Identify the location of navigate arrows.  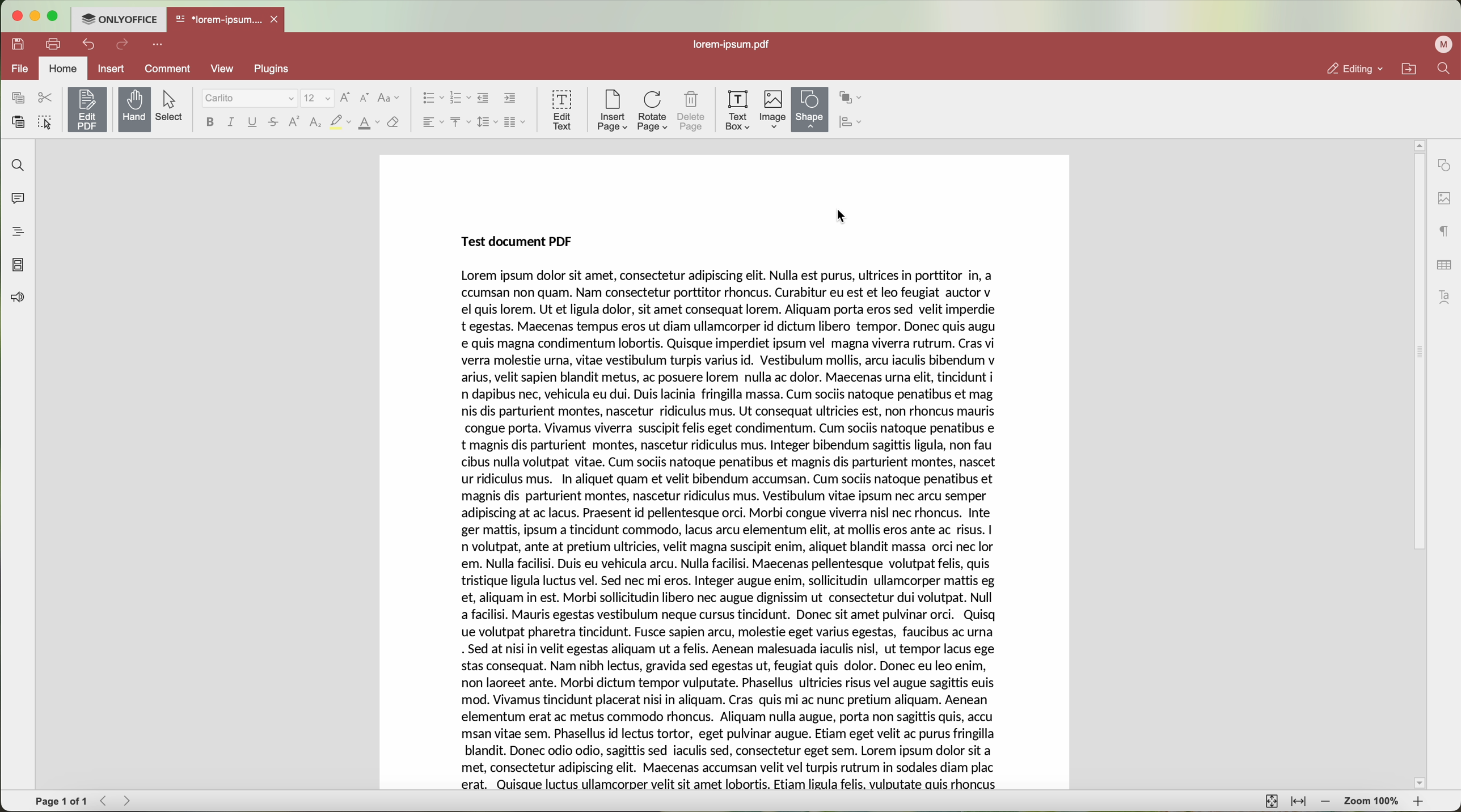
(118, 801).